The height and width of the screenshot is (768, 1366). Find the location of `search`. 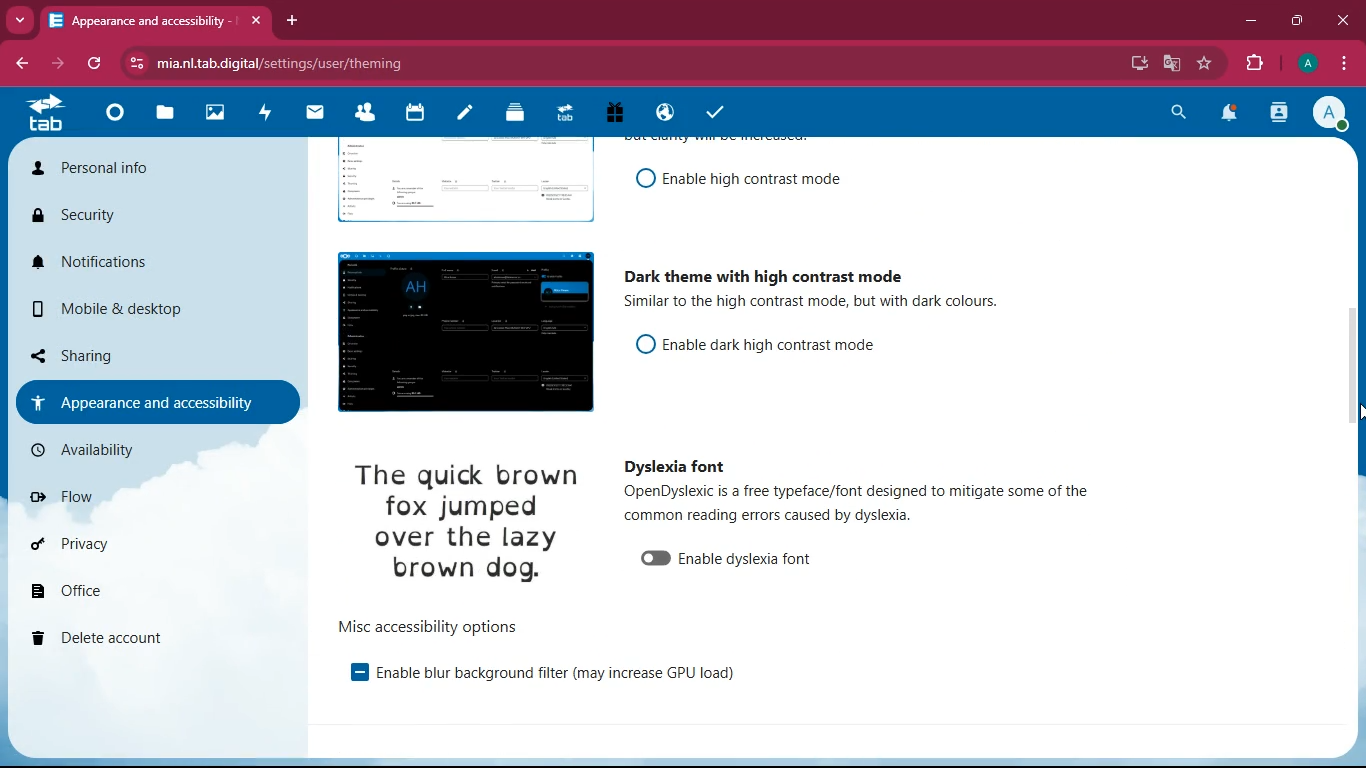

search is located at coordinates (1173, 114).